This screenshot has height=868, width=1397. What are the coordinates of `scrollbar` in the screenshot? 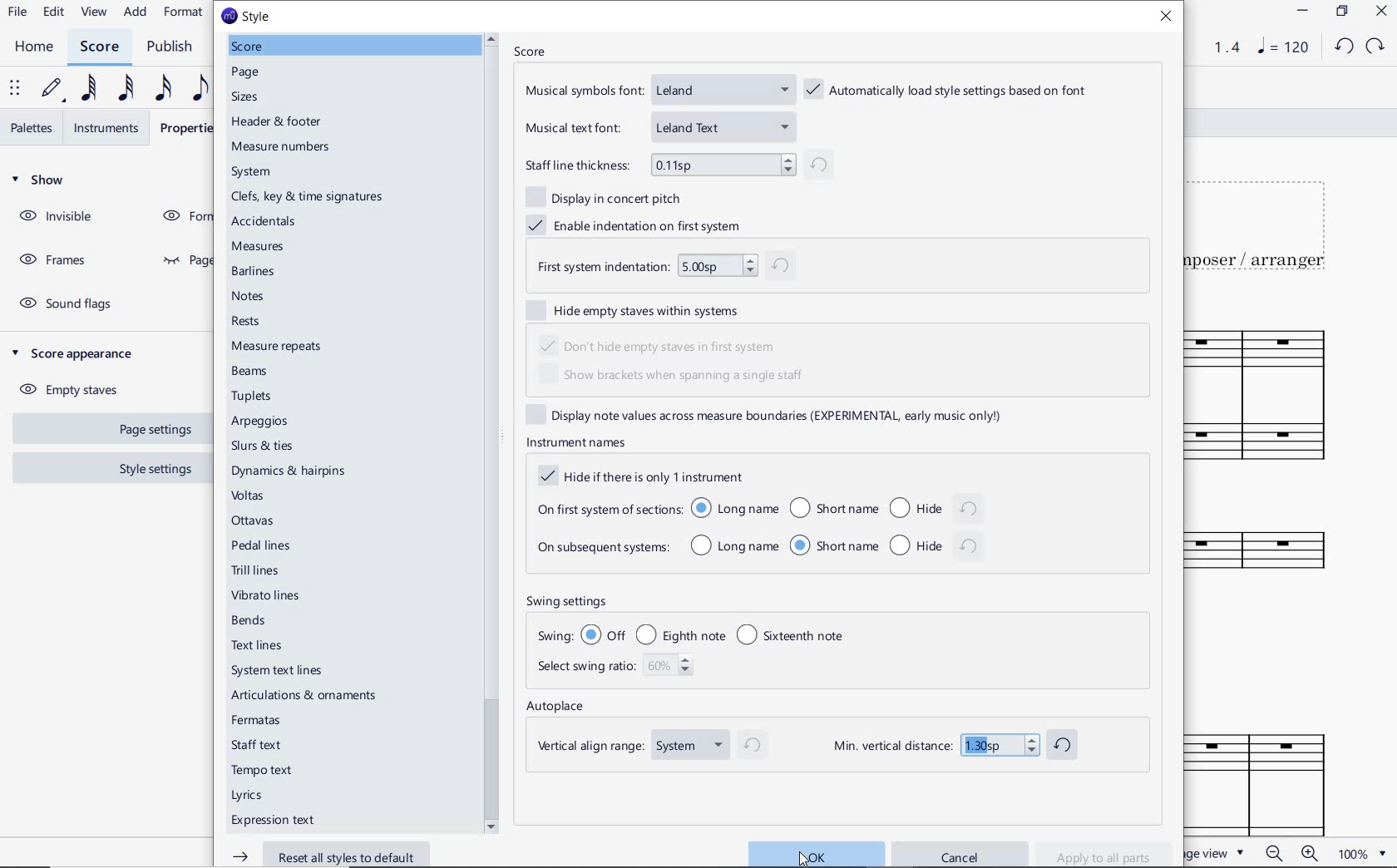 It's located at (491, 432).